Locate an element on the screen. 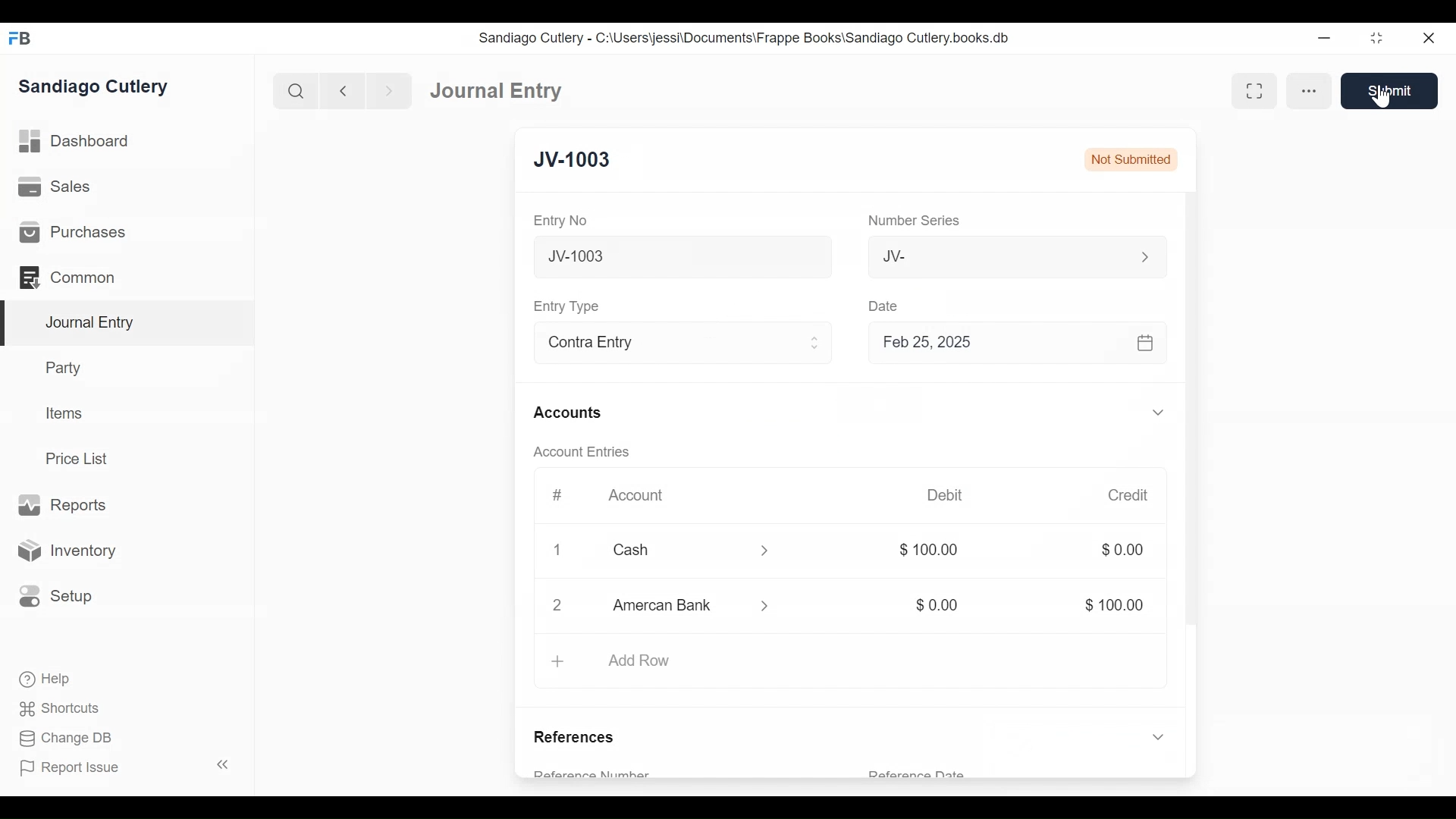 Image resolution: width=1456 pixels, height=819 pixels. Expand is located at coordinates (774, 605).